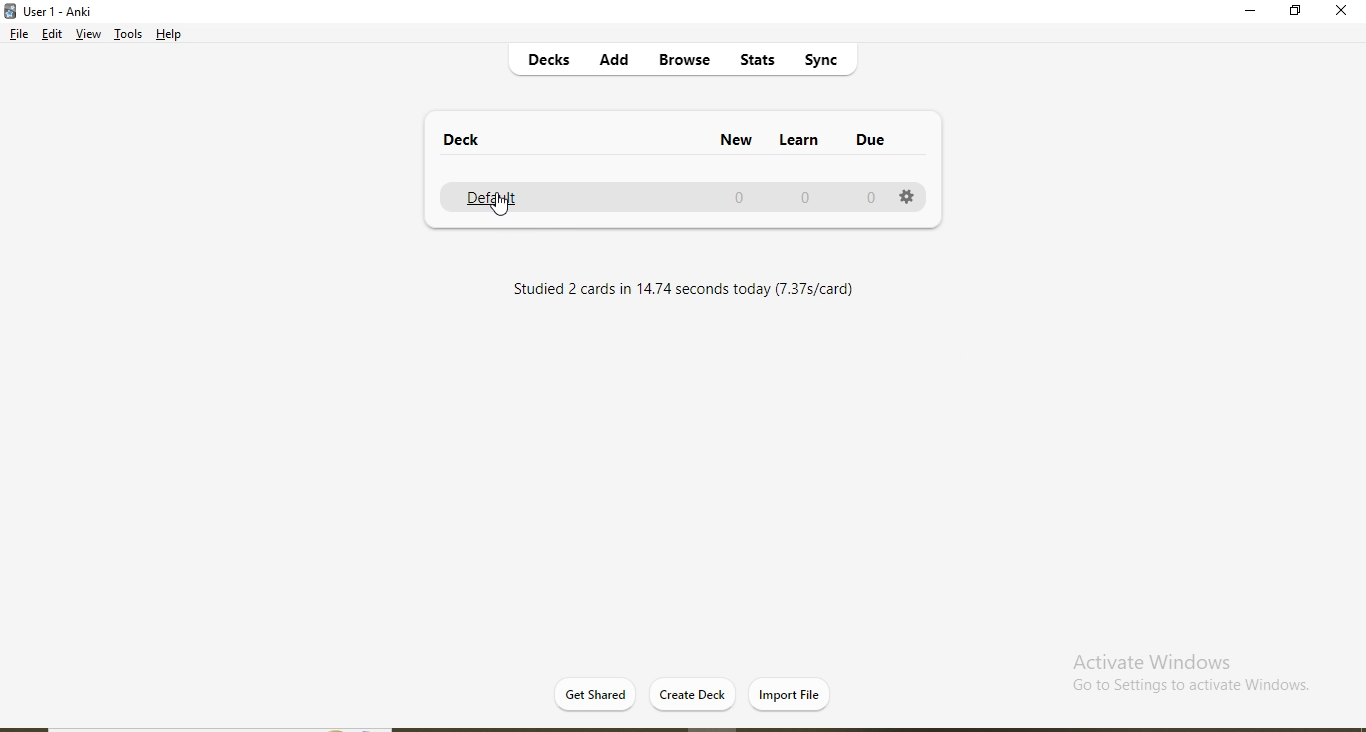  What do you see at coordinates (696, 693) in the screenshot?
I see `create deck` at bounding box center [696, 693].